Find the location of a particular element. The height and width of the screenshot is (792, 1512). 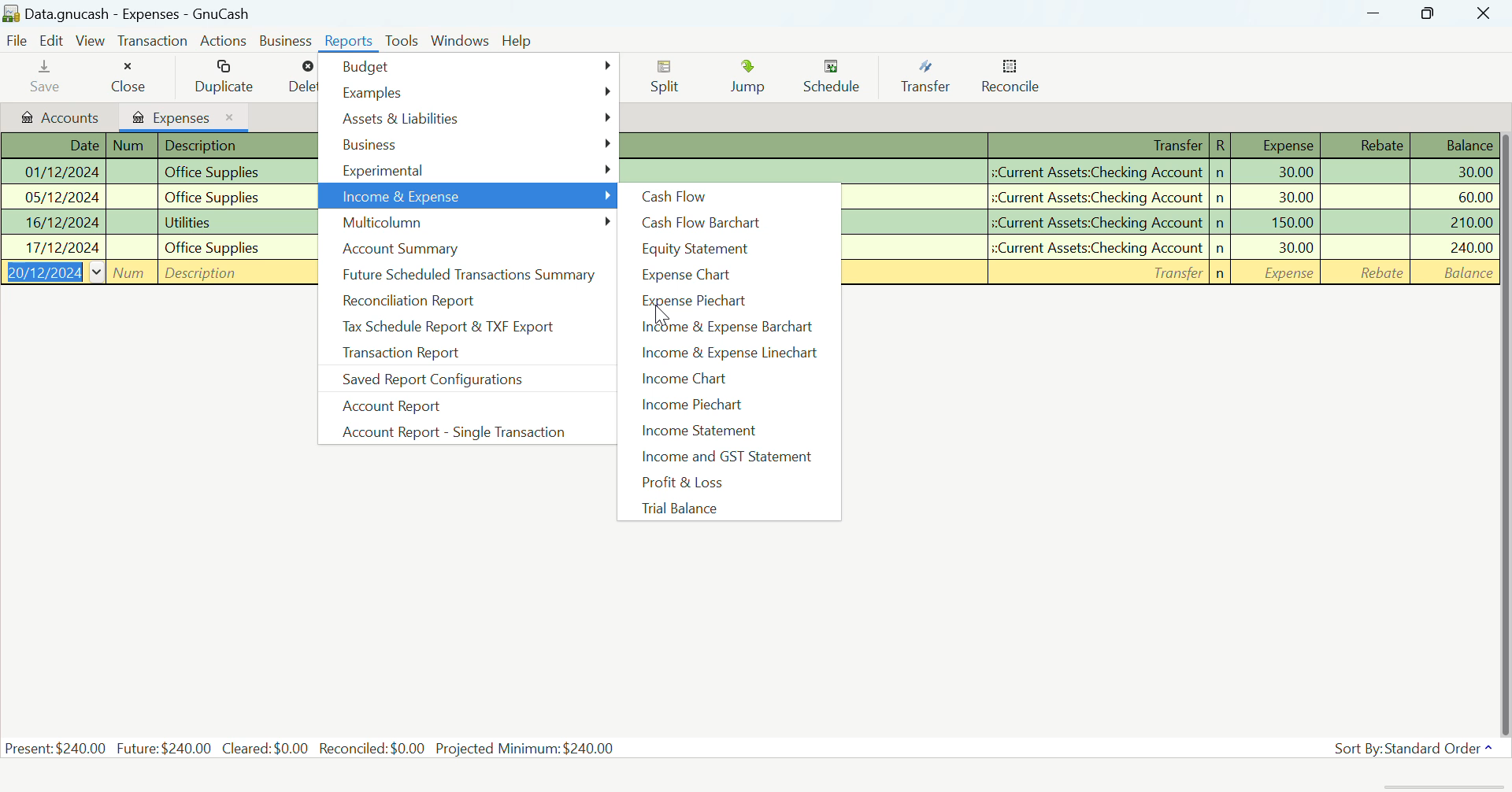

Restore Down is located at coordinates (1375, 13).